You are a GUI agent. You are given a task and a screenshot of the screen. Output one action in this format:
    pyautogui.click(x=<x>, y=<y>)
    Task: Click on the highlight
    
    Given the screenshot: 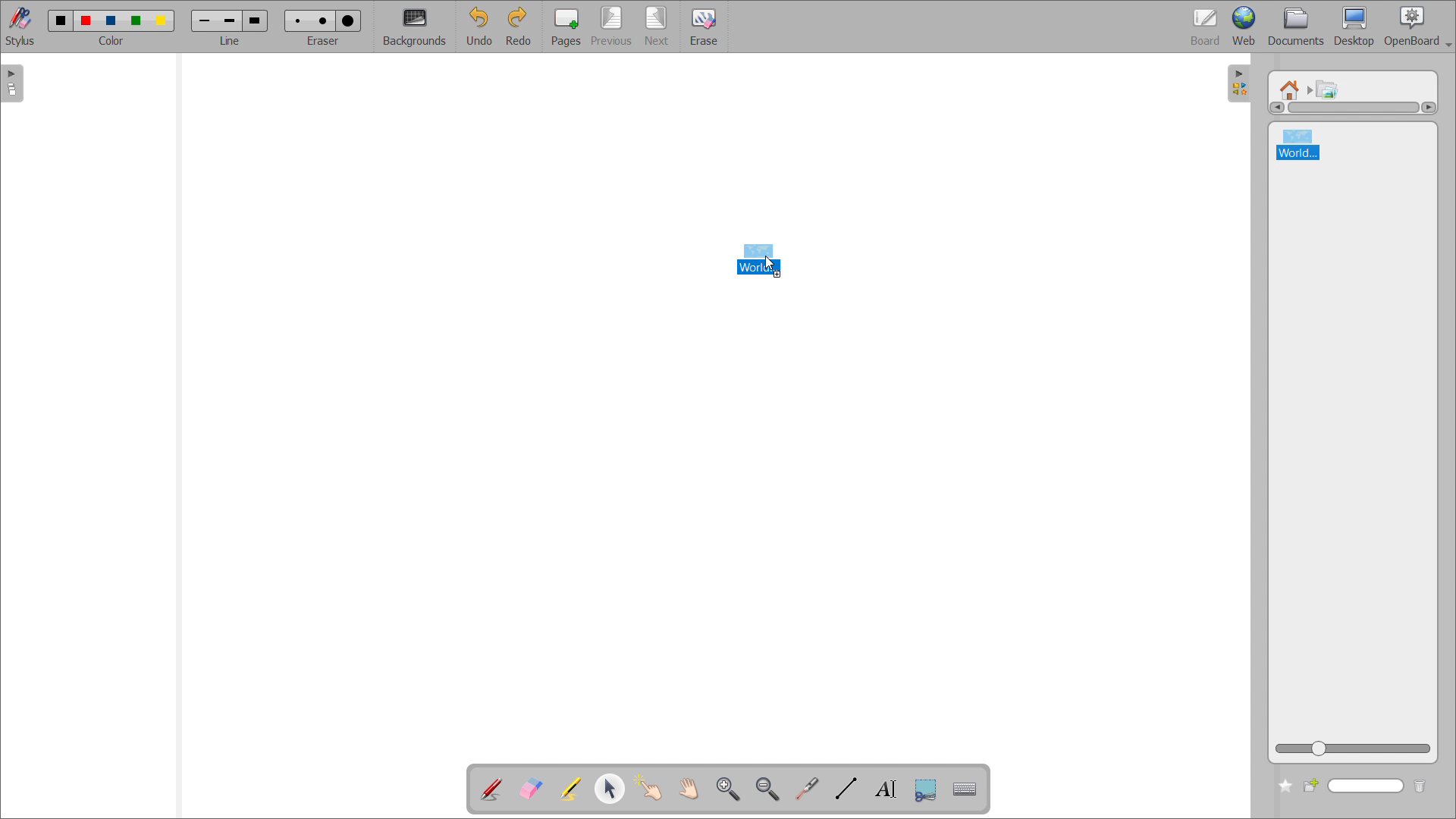 What is the action you would take?
    pyautogui.click(x=571, y=790)
    